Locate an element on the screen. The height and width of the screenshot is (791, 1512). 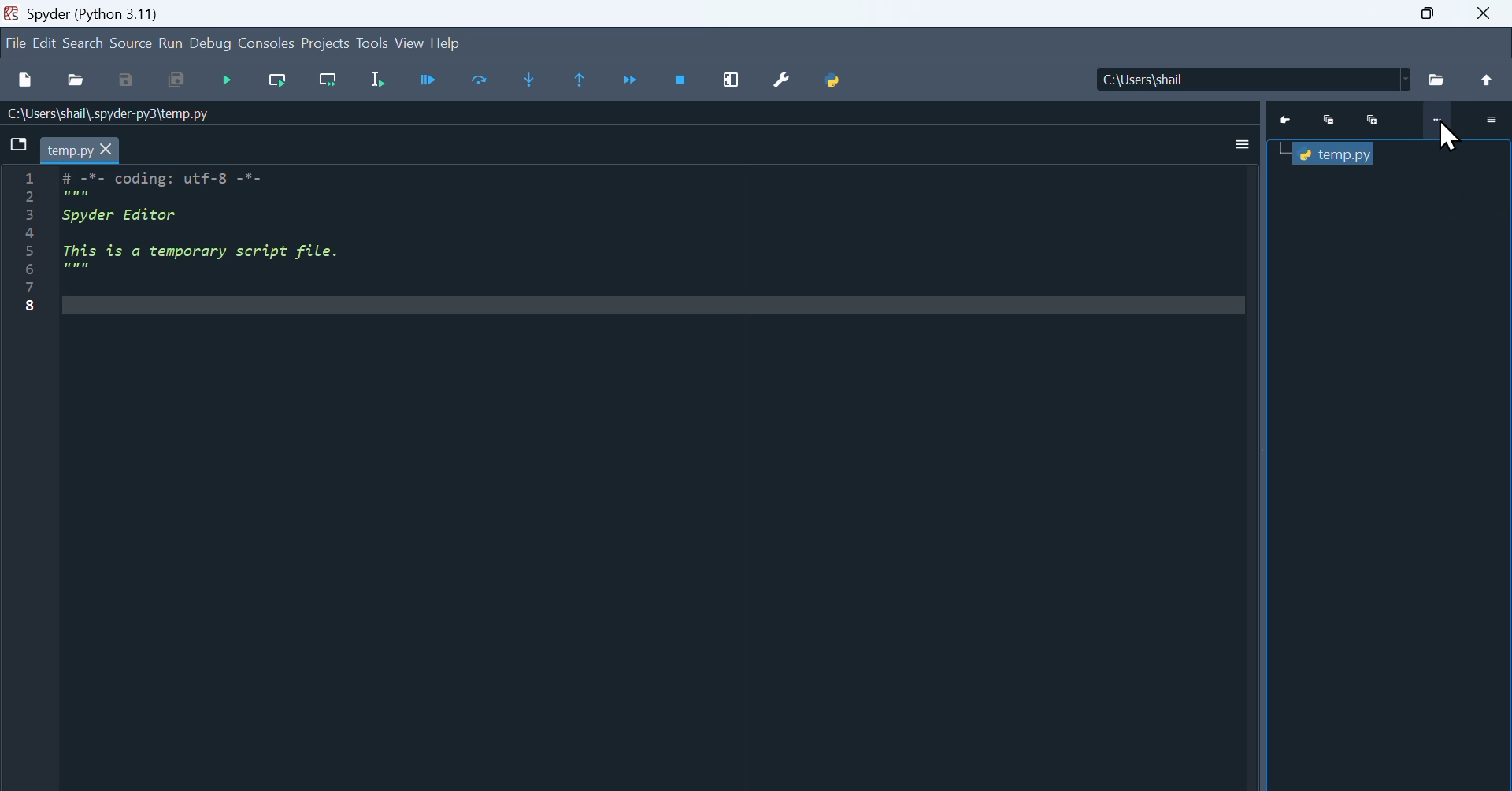
Debug is located at coordinates (211, 44).